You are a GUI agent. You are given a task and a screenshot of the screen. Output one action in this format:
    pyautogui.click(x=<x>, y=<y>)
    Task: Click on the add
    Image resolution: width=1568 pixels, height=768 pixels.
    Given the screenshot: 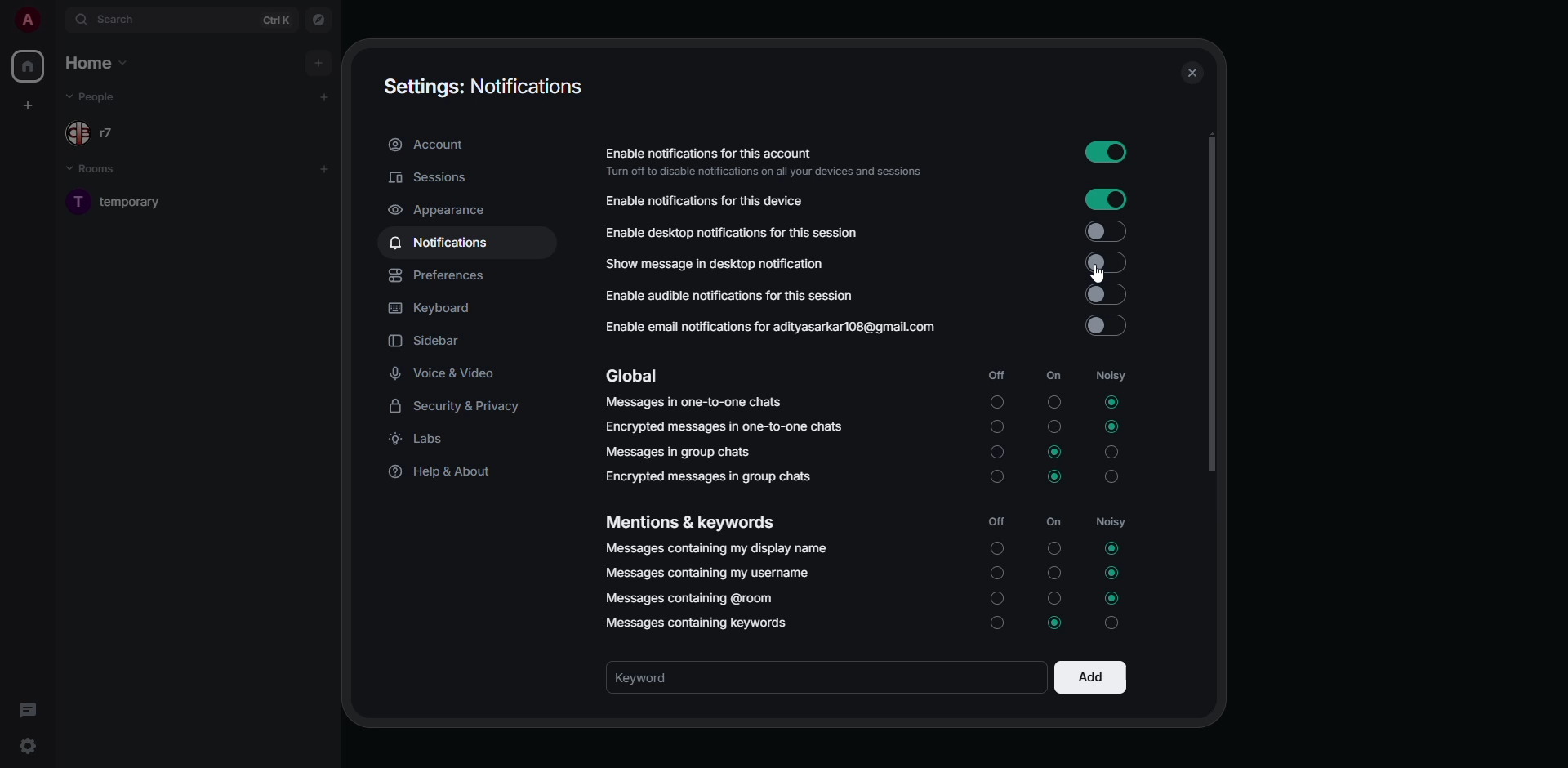 What is the action you would take?
    pyautogui.click(x=1090, y=675)
    